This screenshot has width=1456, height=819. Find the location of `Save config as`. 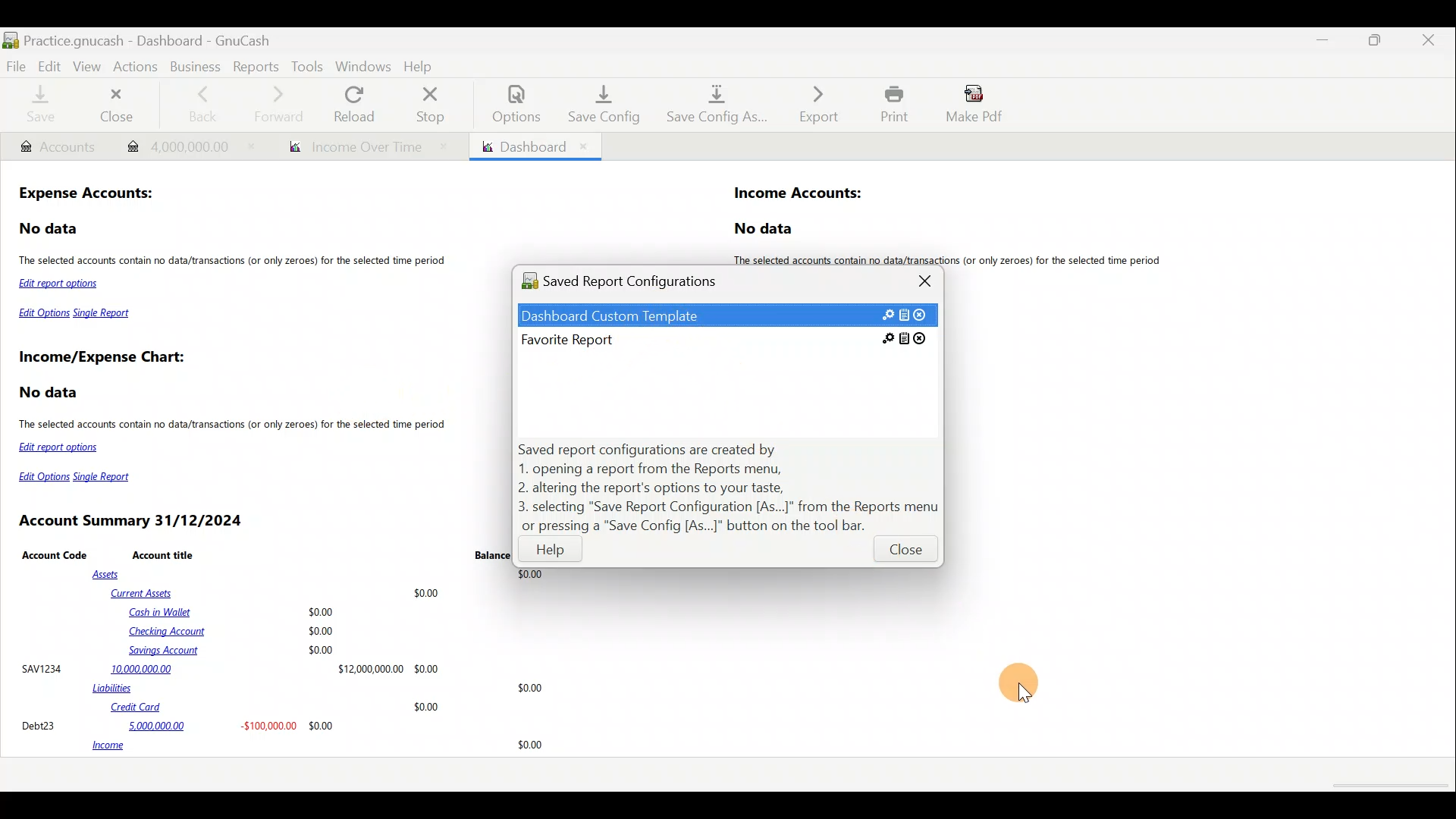

Save config as is located at coordinates (712, 105).